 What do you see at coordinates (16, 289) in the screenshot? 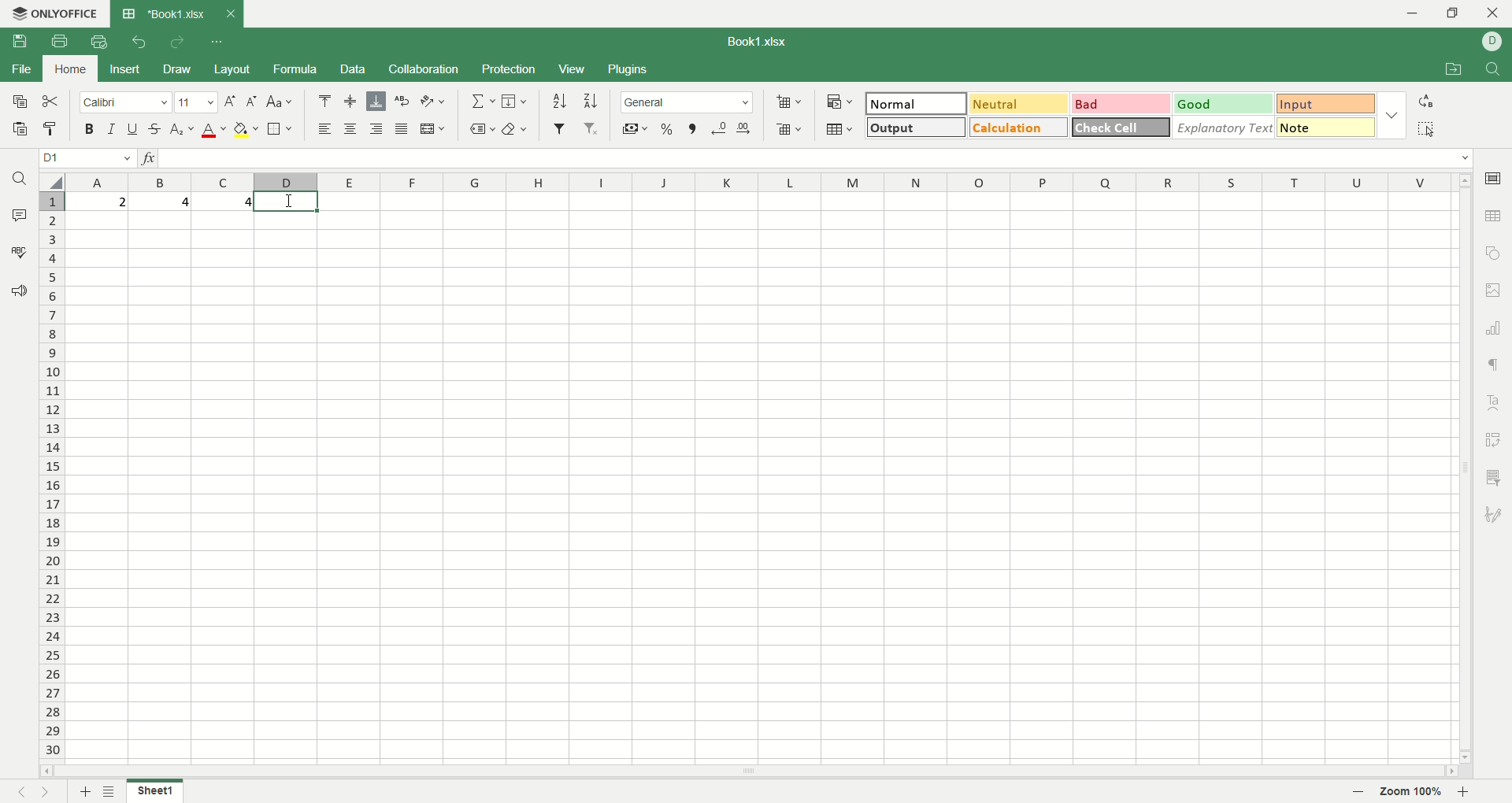
I see `feedback and support` at bounding box center [16, 289].